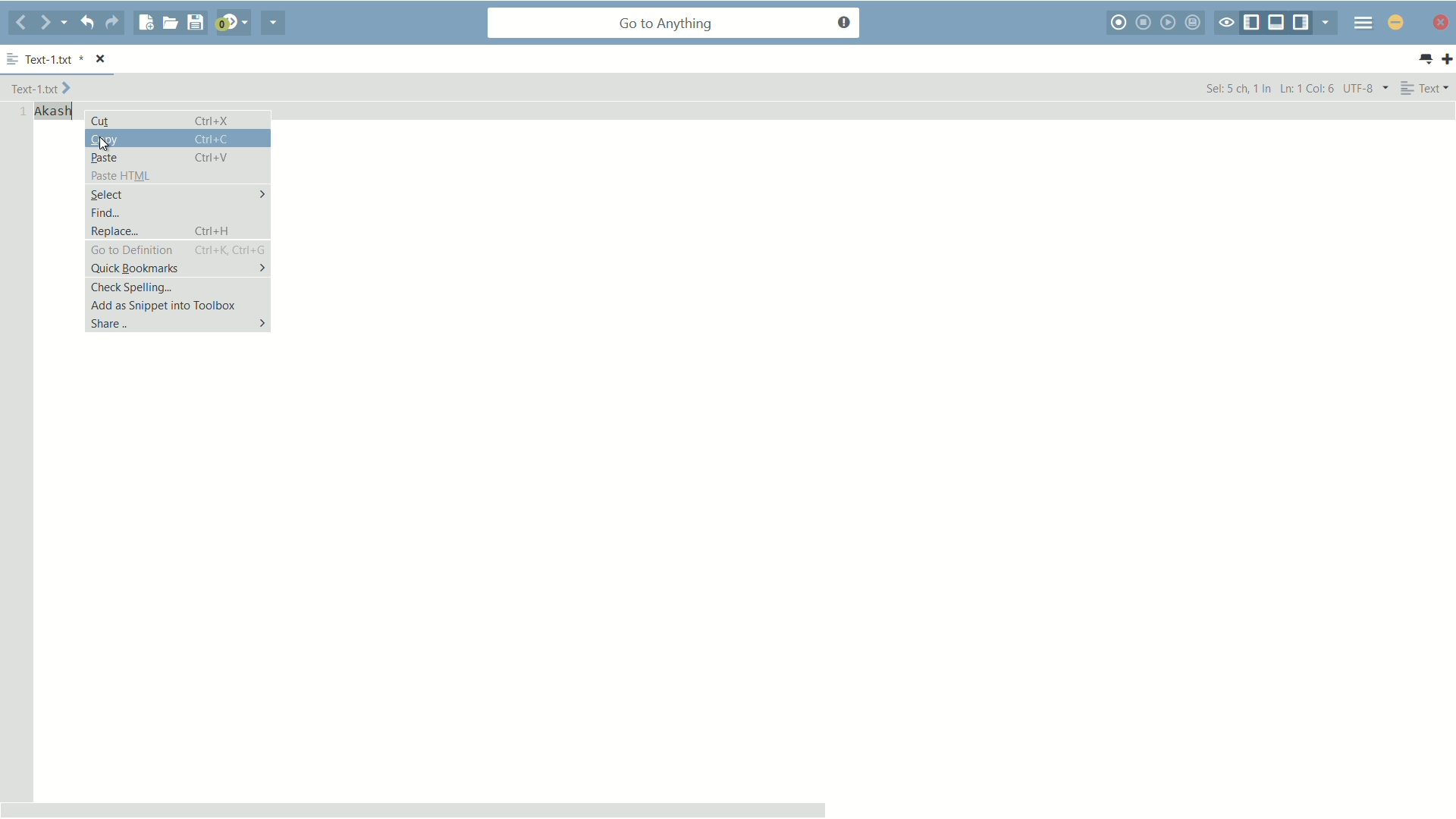  What do you see at coordinates (105, 145) in the screenshot?
I see `Cursor` at bounding box center [105, 145].